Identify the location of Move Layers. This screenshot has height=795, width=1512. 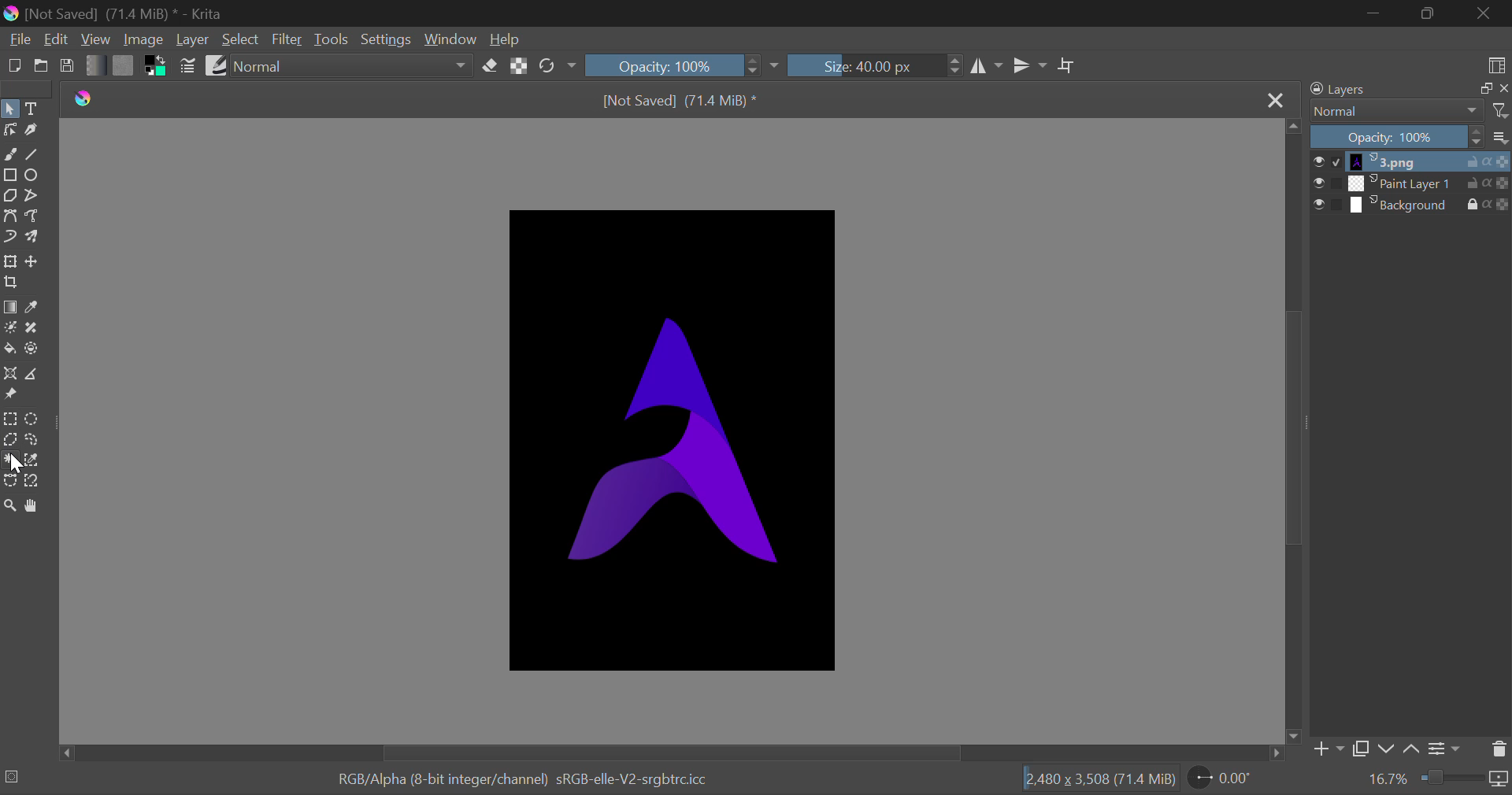
(34, 263).